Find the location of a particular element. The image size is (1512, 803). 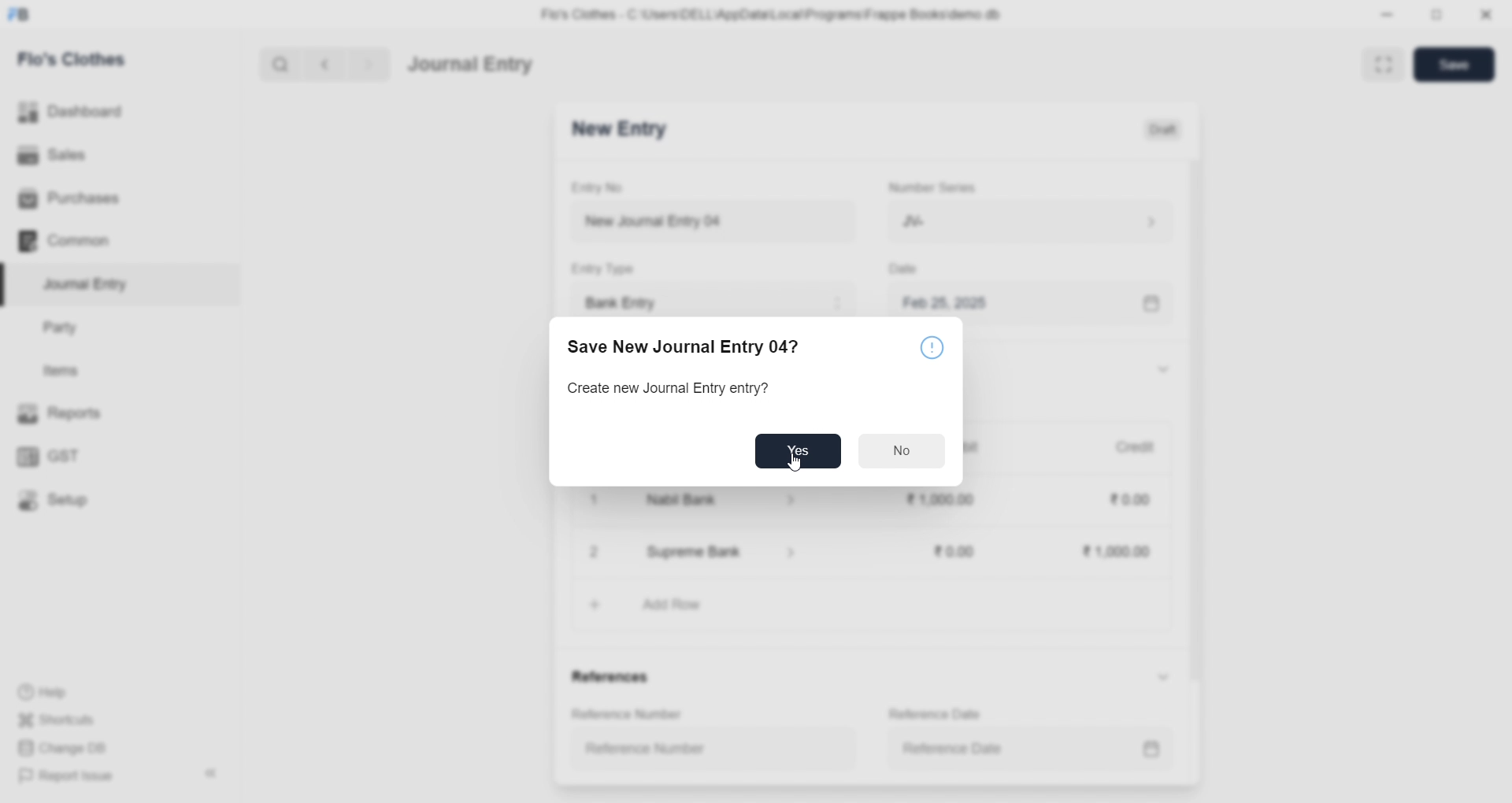

Save New Journal Entry 04? is located at coordinates (684, 347).